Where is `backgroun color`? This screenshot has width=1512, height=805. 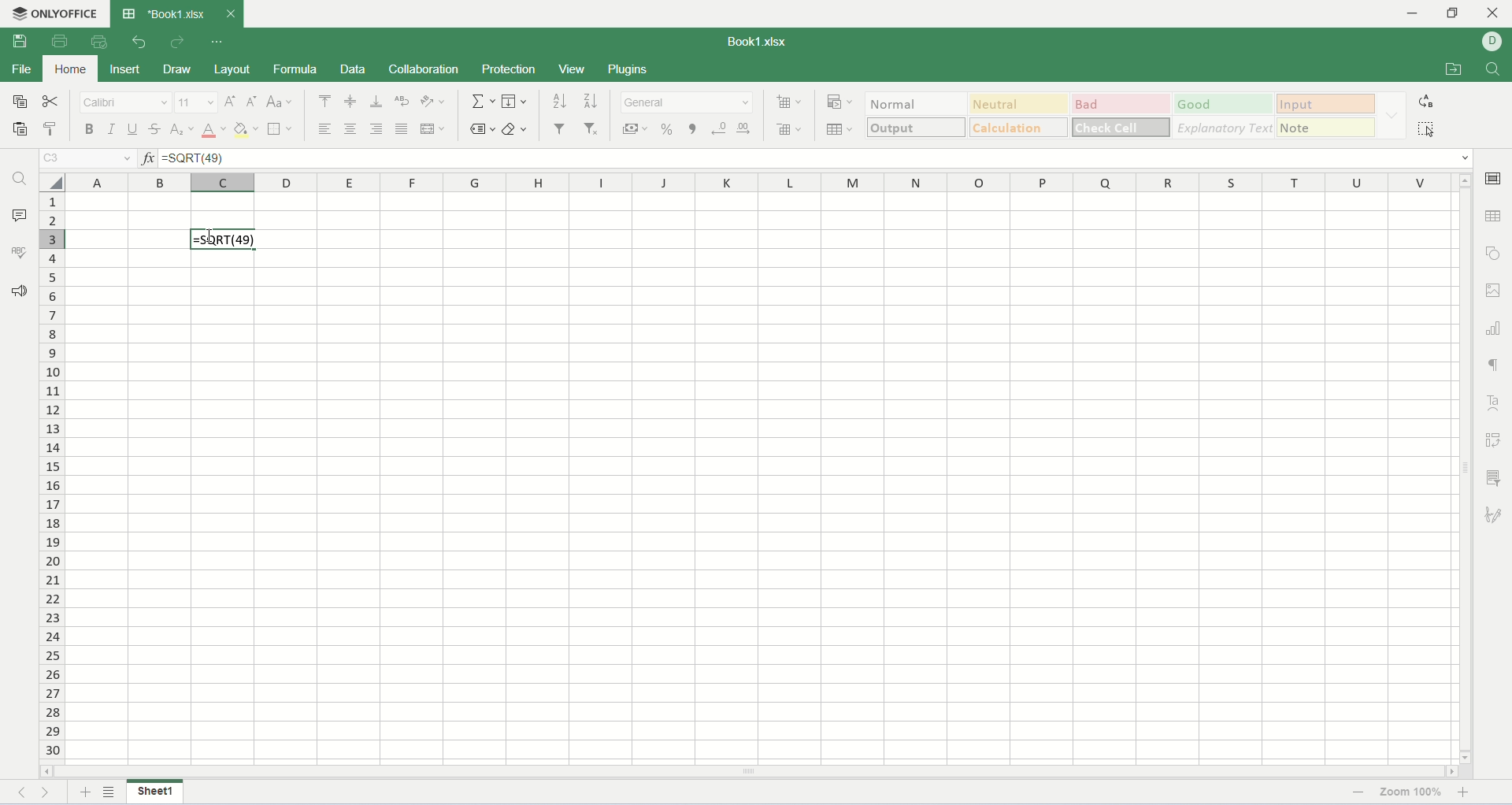 backgroun color is located at coordinates (247, 128).